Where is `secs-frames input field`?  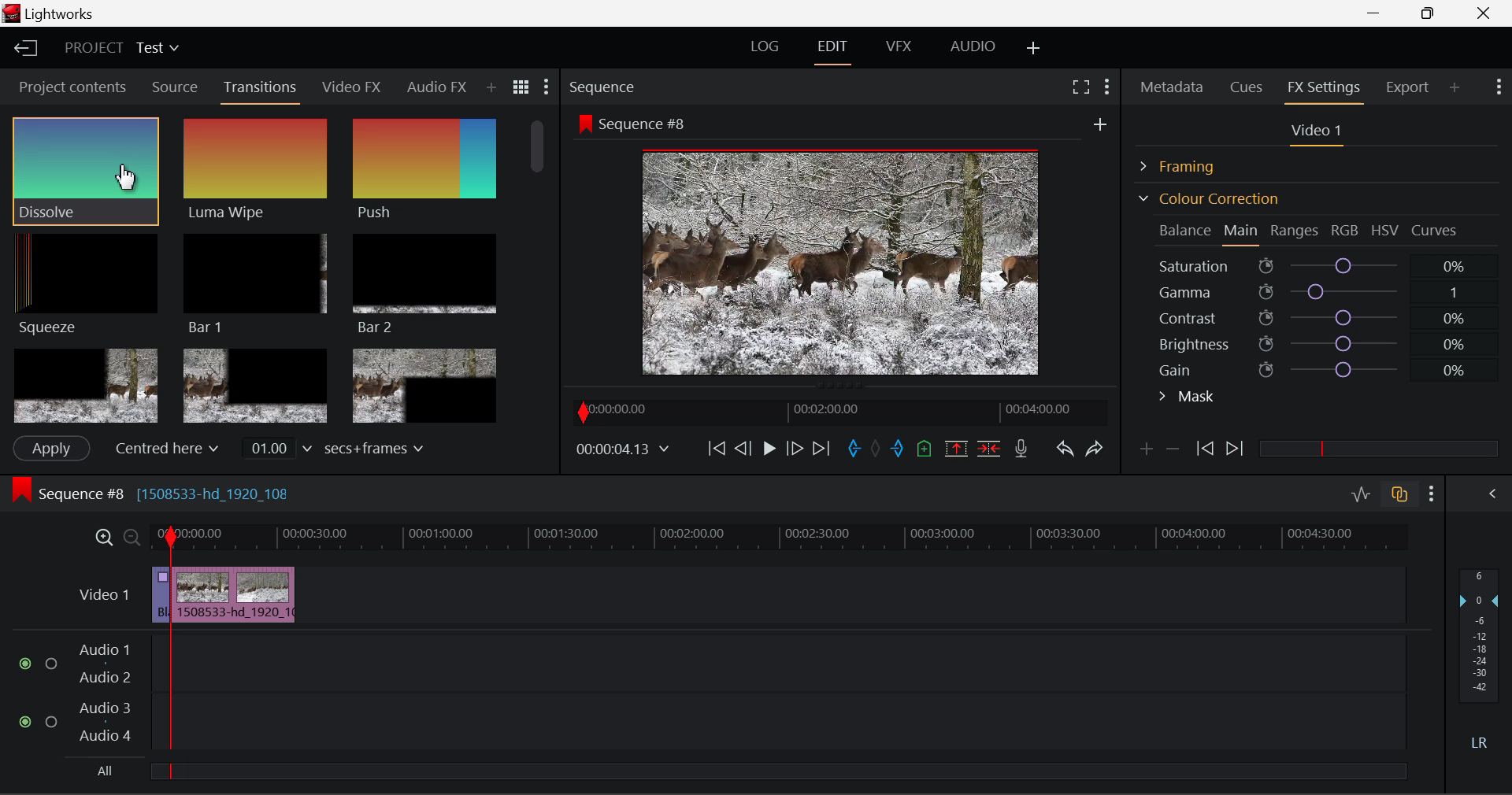
secs-frames input field is located at coordinates (335, 447).